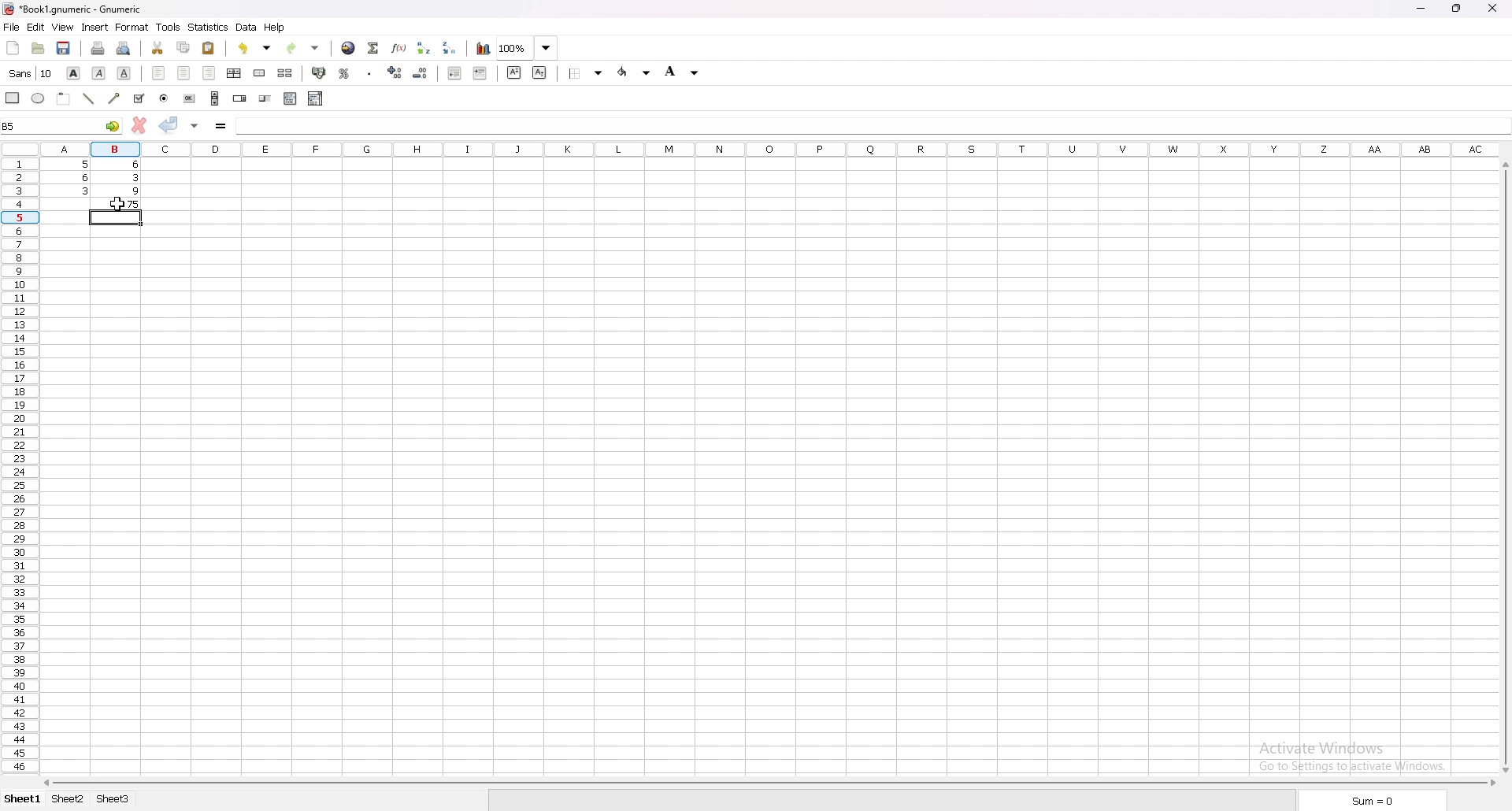 This screenshot has height=811, width=1512. I want to click on view, so click(63, 28).